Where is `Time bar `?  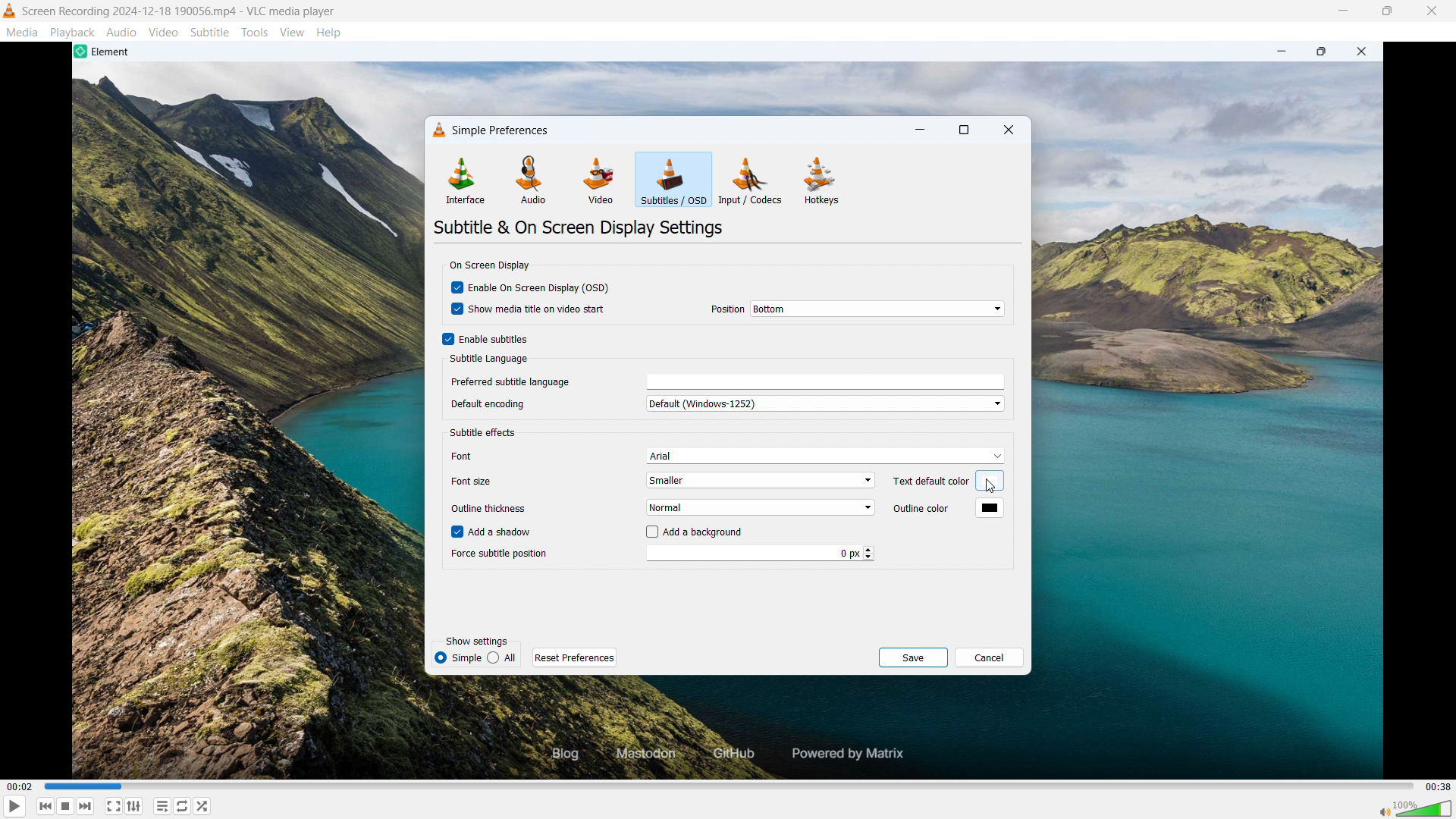 Time bar  is located at coordinates (732, 786).